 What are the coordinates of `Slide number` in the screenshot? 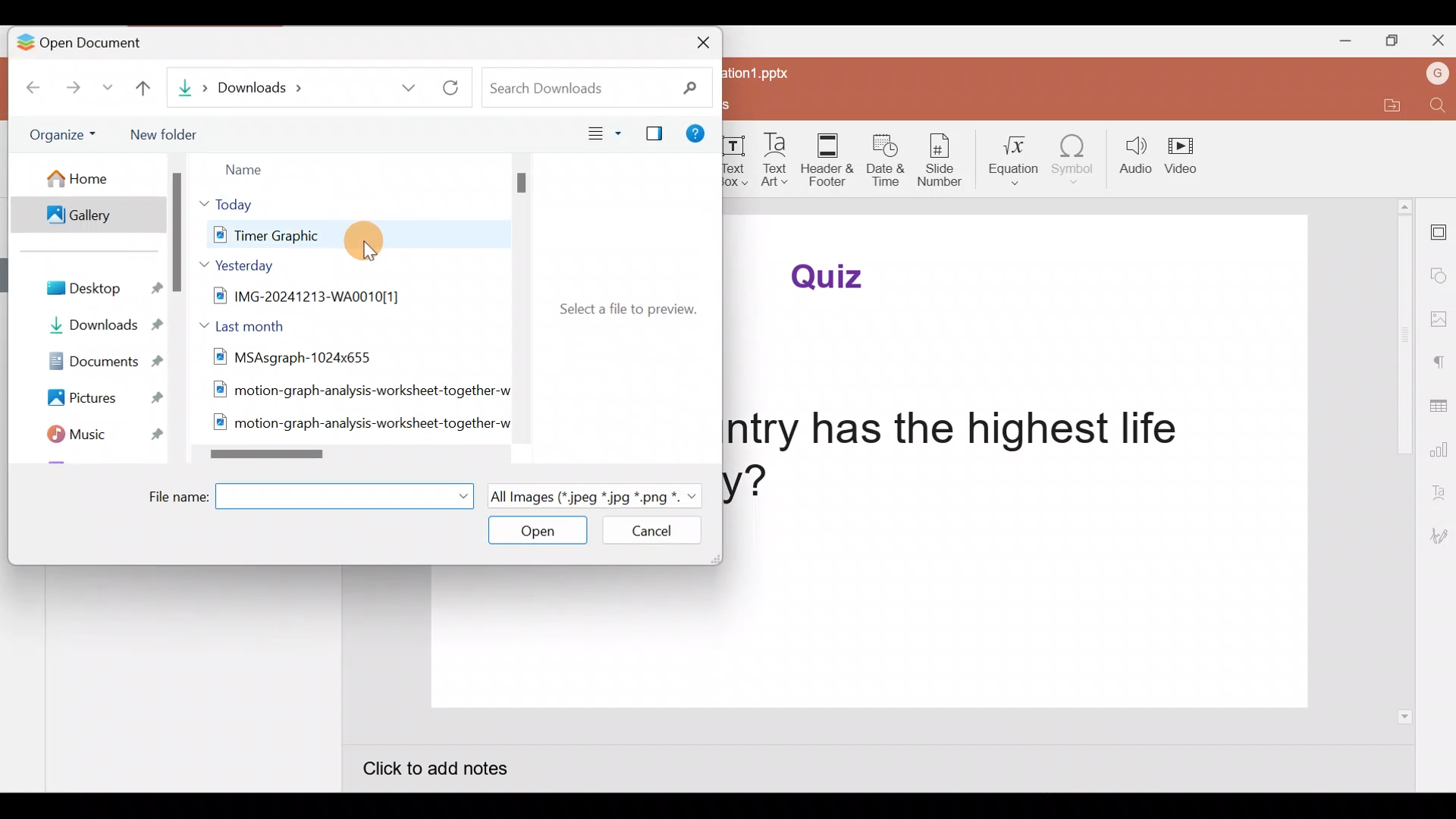 It's located at (946, 162).